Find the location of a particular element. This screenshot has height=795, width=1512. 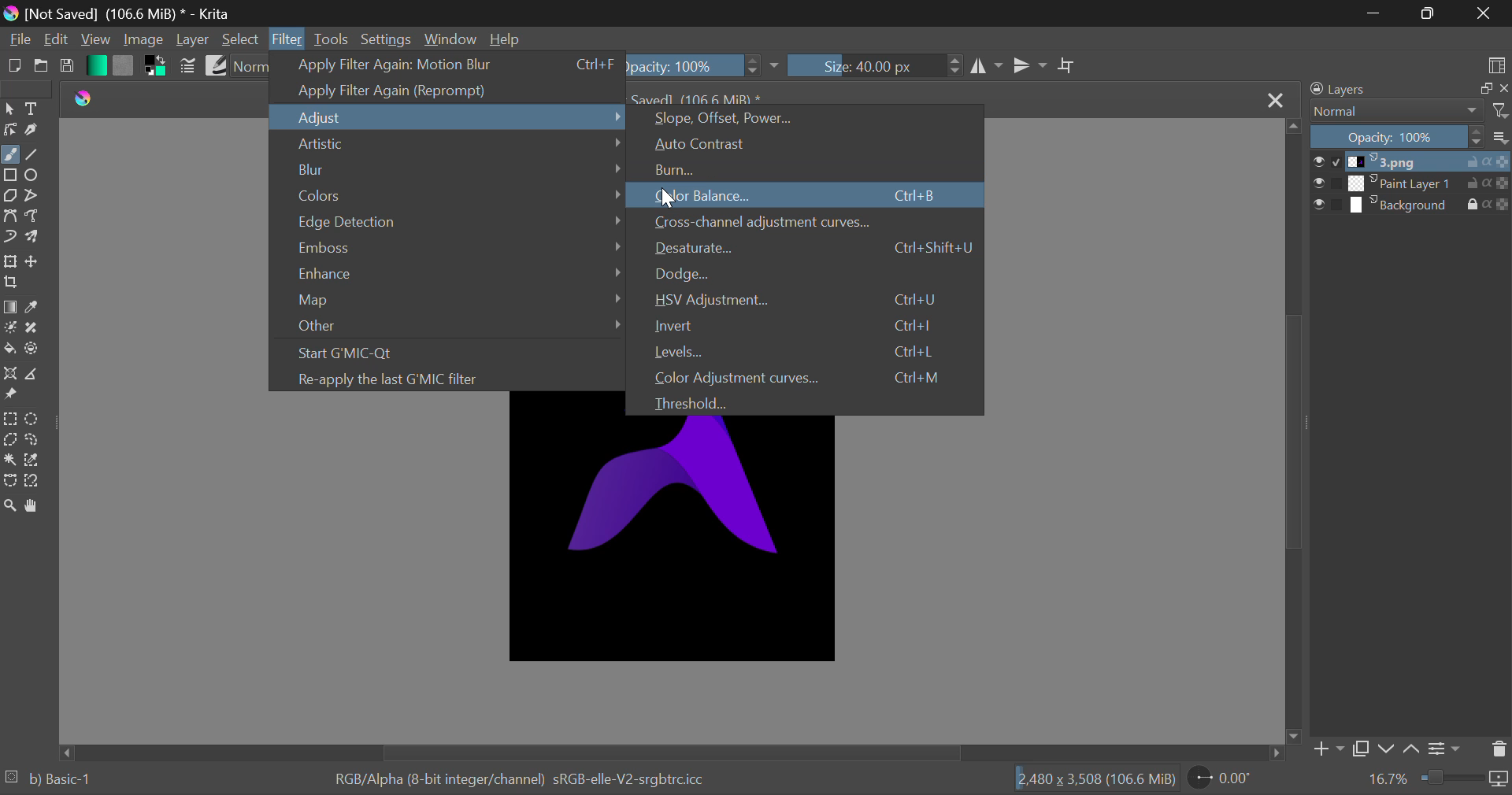

0.00 is located at coordinates (1225, 780).